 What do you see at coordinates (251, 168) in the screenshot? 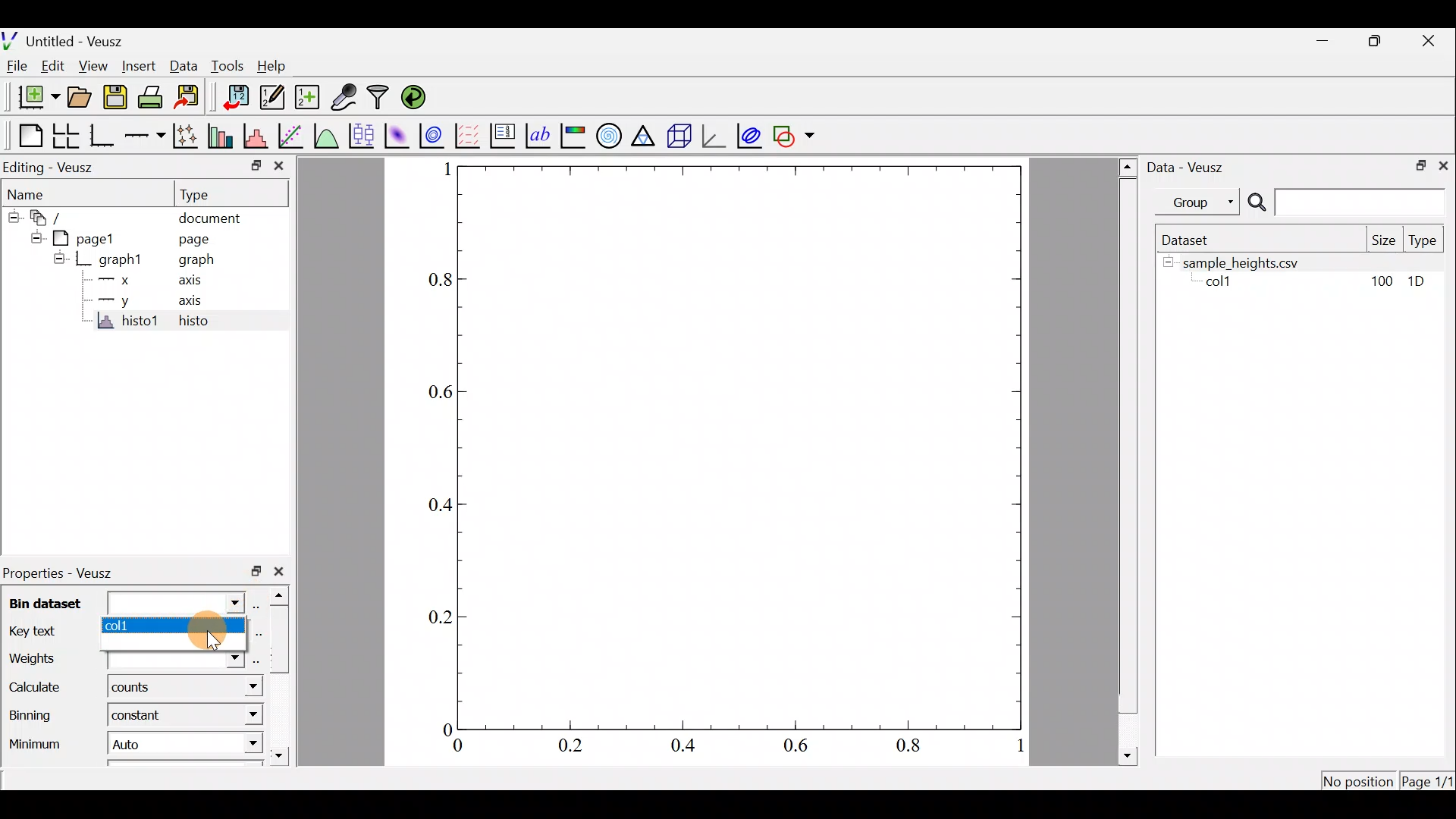
I see `restore down` at bounding box center [251, 168].